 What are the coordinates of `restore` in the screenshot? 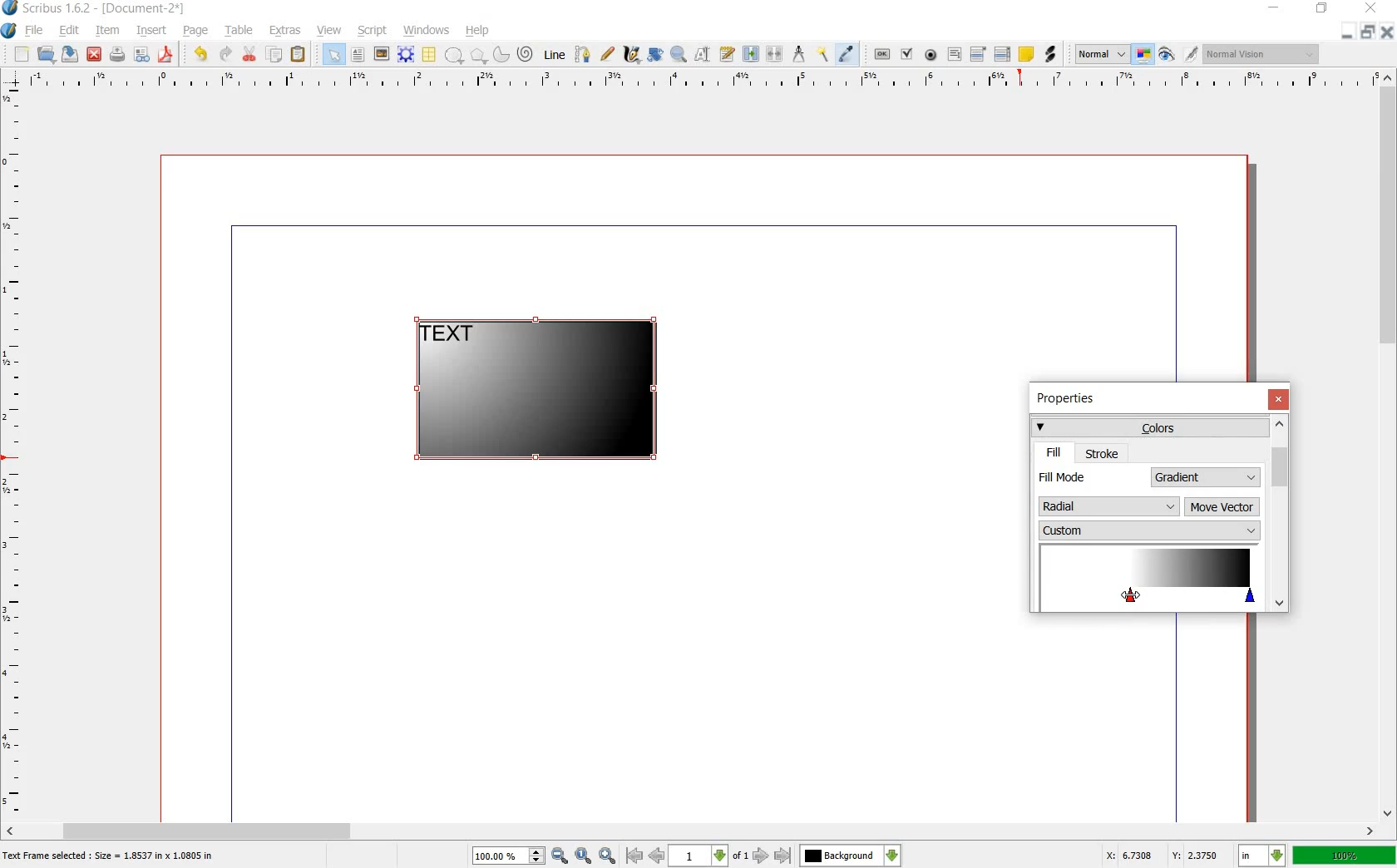 It's located at (1367, 33).